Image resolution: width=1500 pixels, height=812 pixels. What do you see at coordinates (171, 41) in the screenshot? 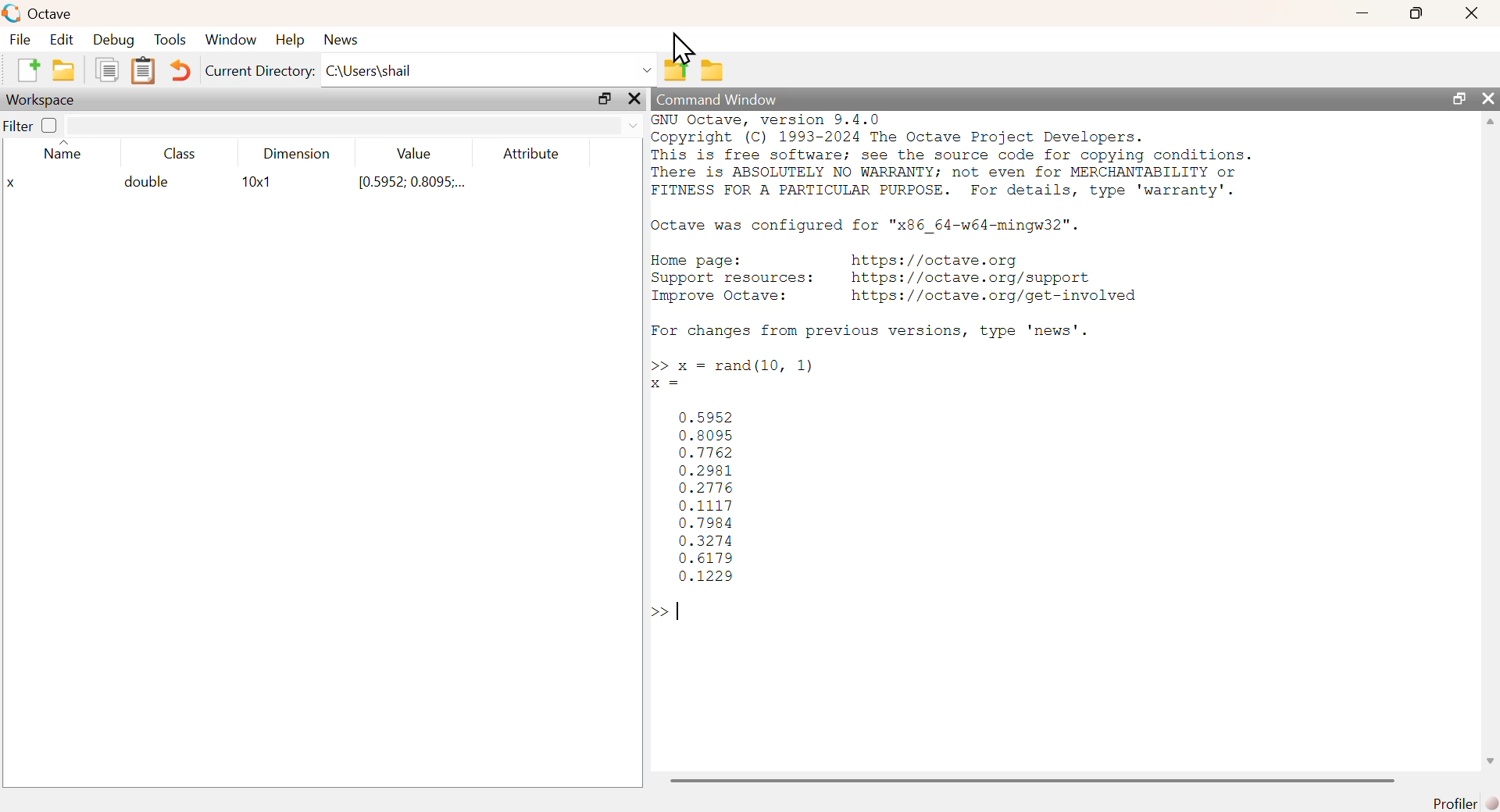
I see `tools` at bounding box center [171, 41].